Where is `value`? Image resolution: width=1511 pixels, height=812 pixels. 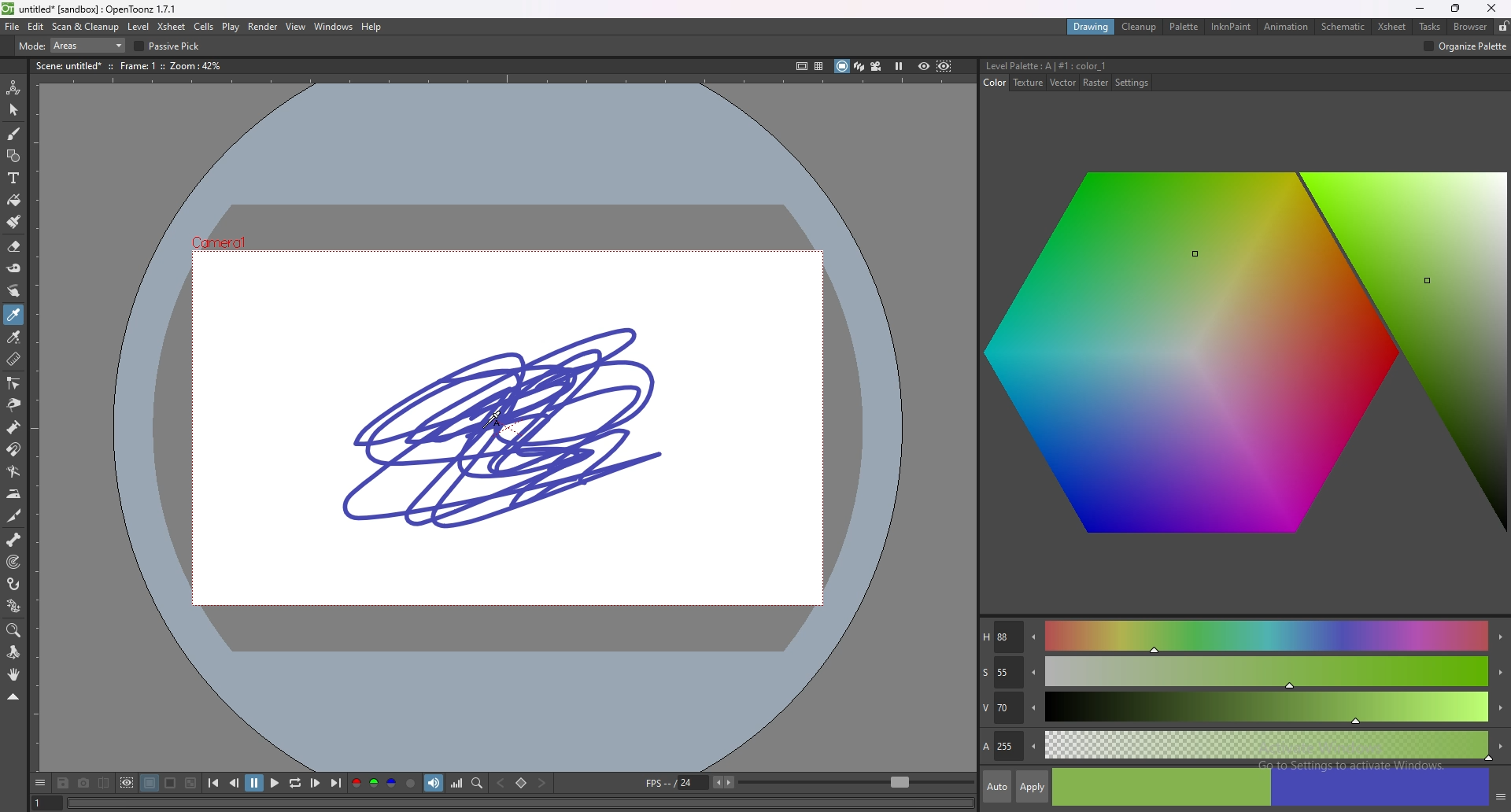
value is located at coordinates (1244, 709).